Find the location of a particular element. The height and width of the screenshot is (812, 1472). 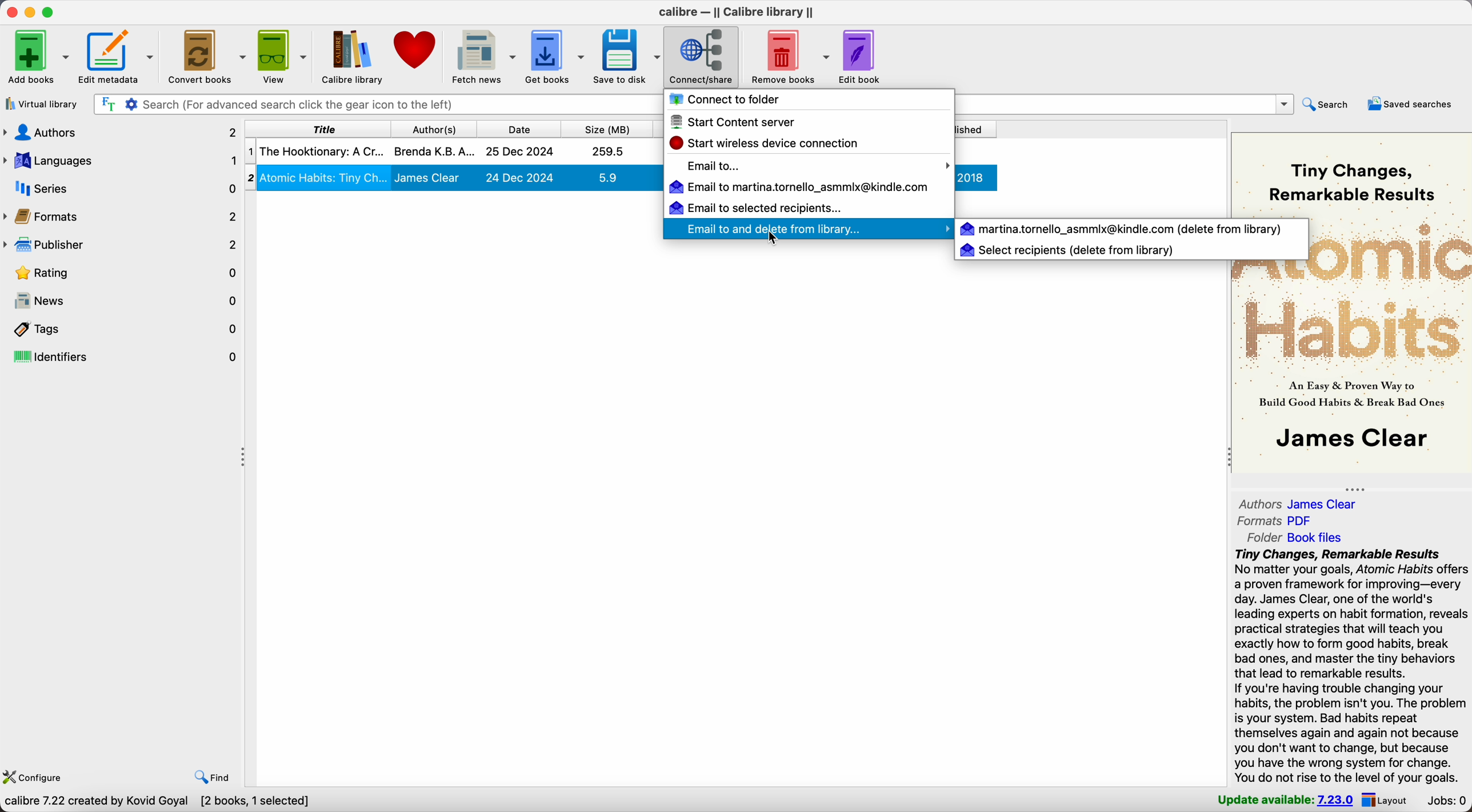

identifiers is located at coordinates (122, 357).